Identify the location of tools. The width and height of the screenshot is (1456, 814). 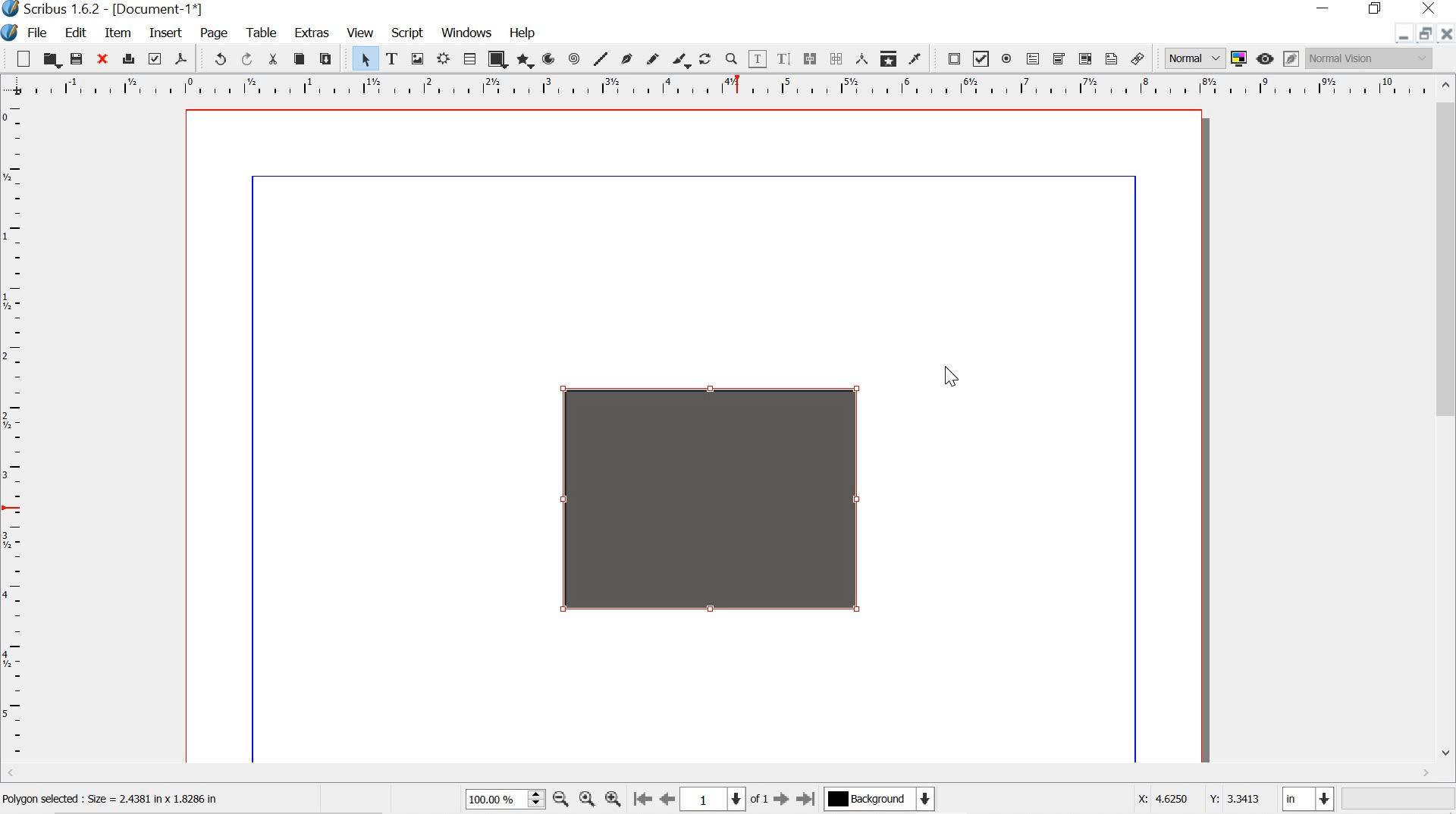
(262, 31).